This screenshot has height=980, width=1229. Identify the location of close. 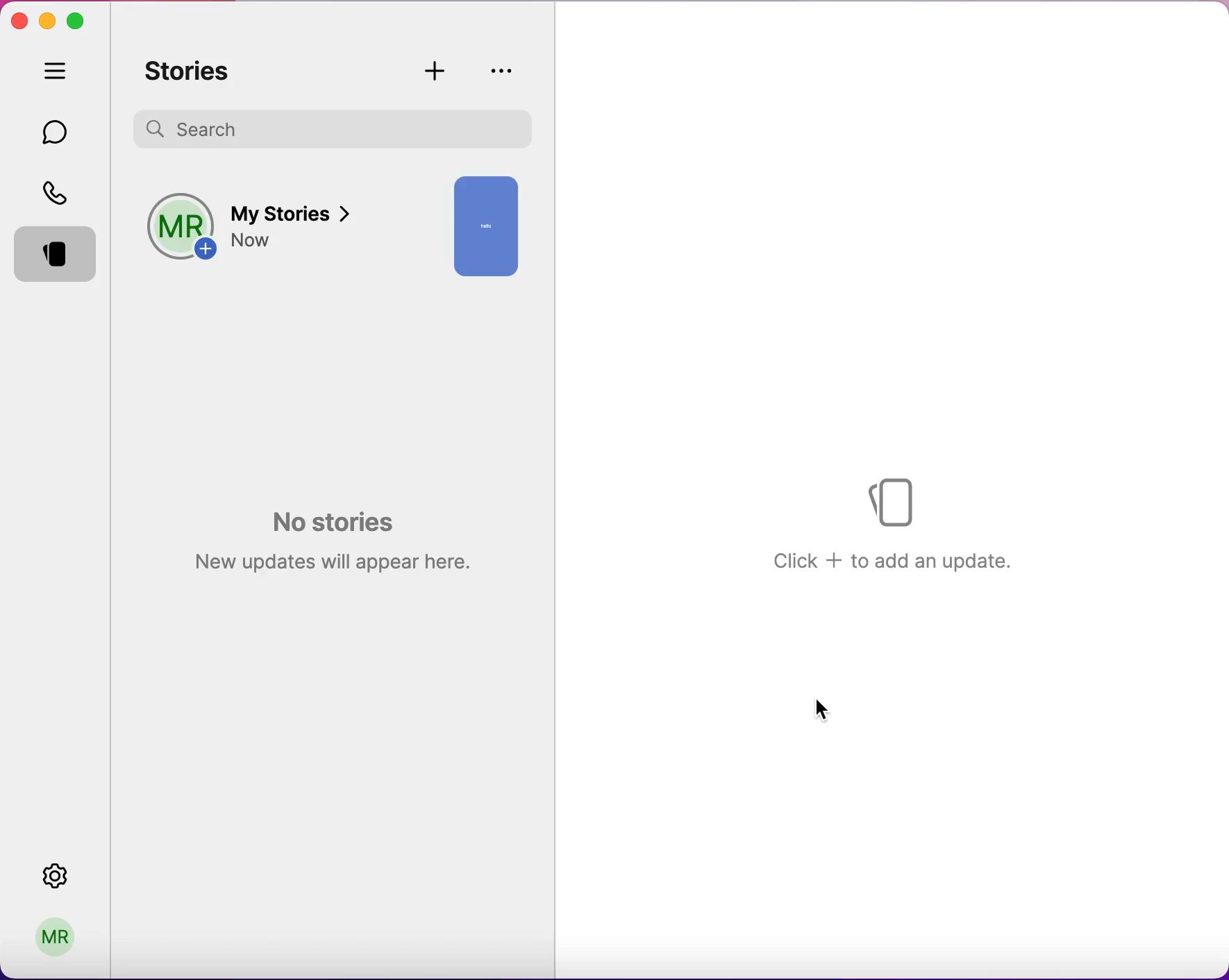
(19, 22).